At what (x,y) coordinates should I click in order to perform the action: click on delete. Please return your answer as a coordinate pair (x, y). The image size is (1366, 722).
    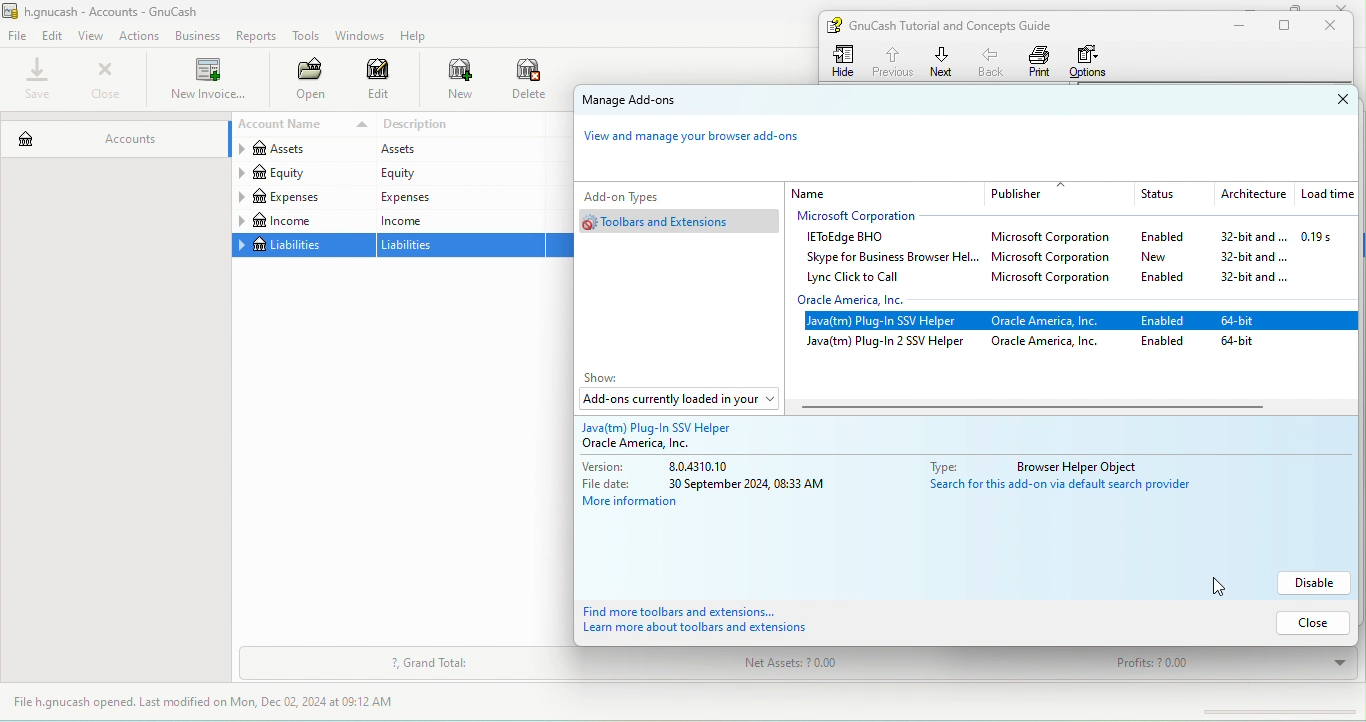
    Looking at the image, I should click on (1316, 582).